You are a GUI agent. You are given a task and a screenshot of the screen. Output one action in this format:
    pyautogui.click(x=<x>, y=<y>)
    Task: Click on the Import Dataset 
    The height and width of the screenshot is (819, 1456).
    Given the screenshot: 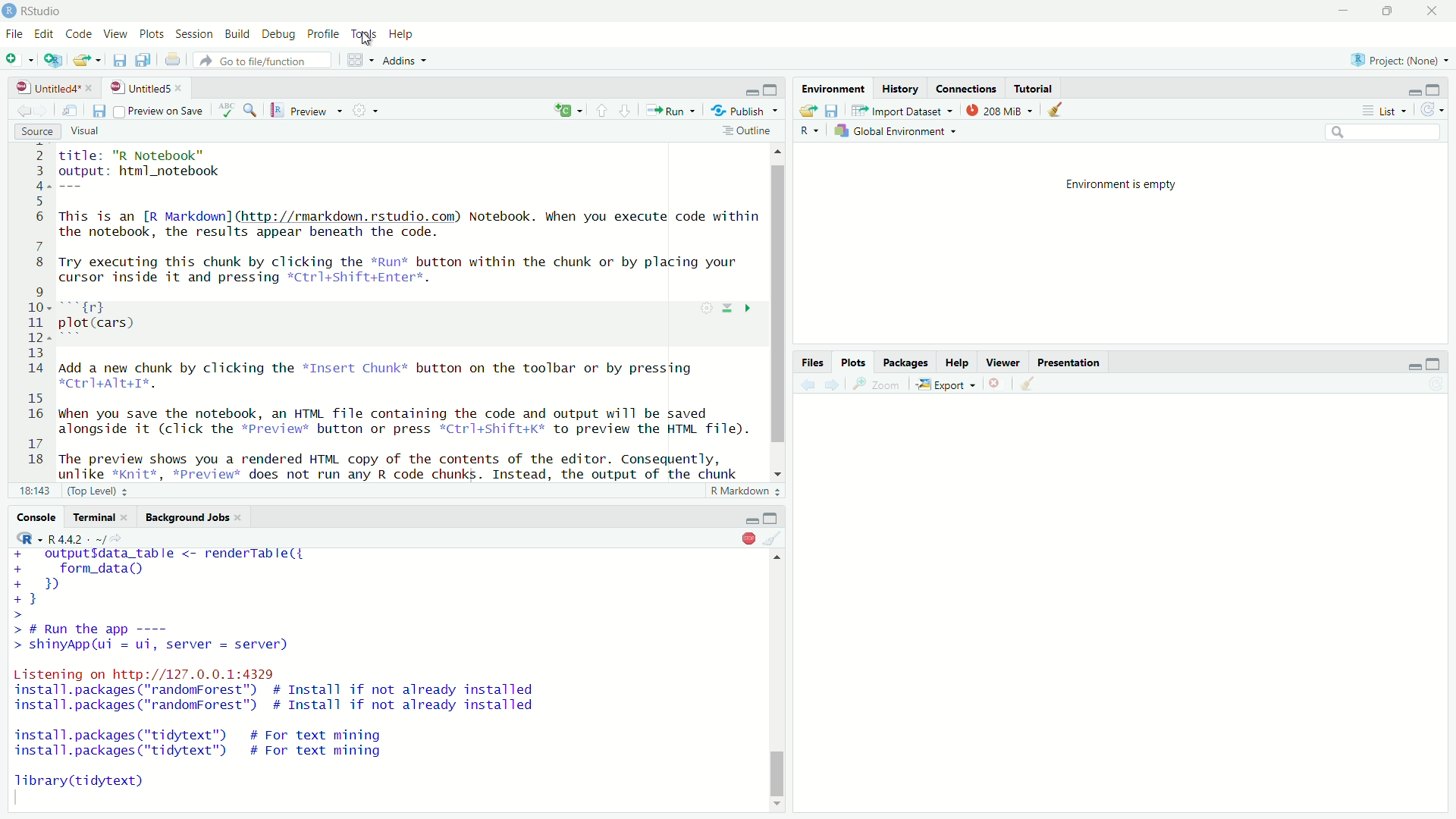 What is the action you would take?
    pyautogui.click(x=903, y=110)
    